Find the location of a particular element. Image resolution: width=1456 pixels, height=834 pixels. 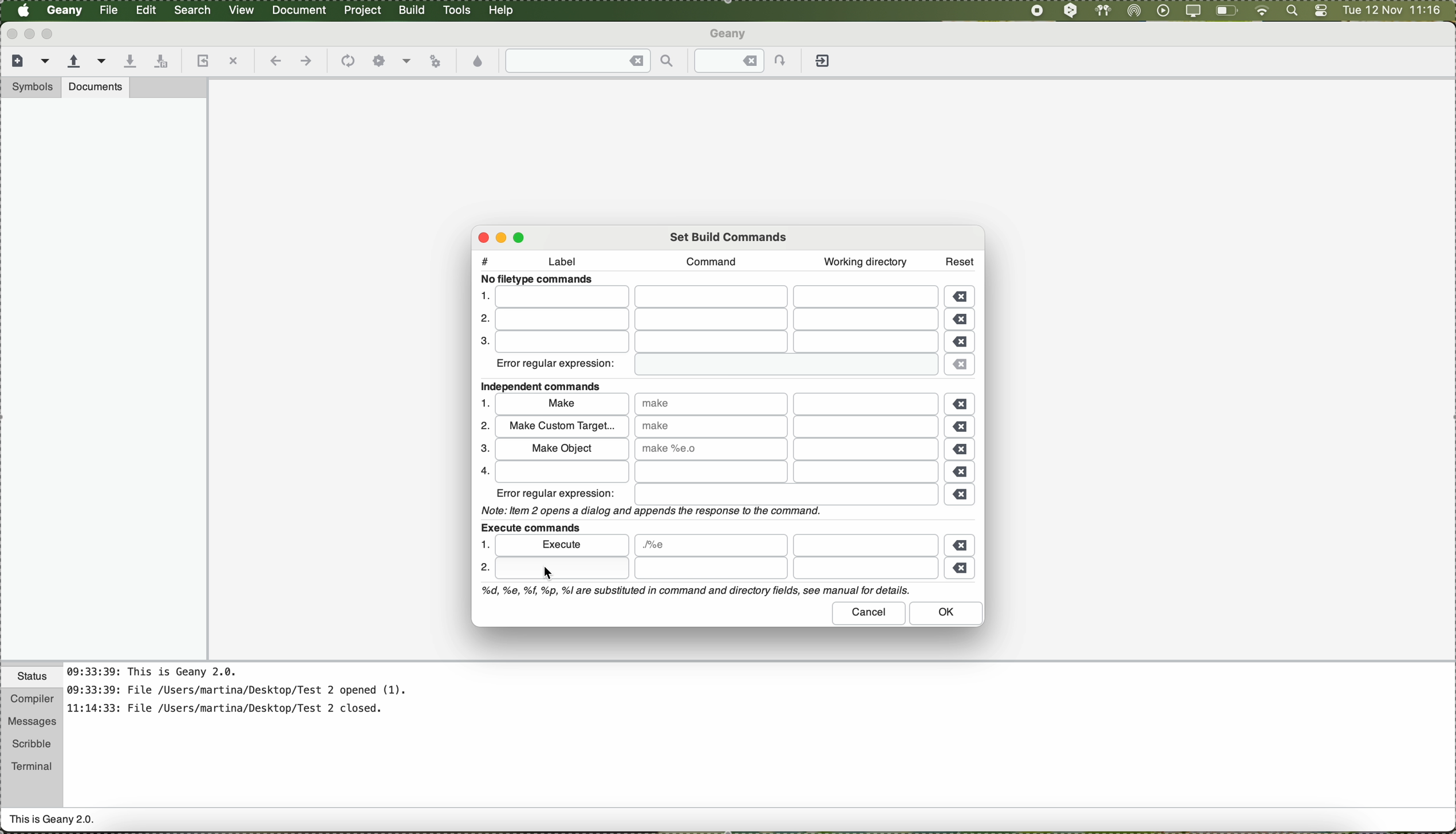

file is located at coordinates (866, 427).